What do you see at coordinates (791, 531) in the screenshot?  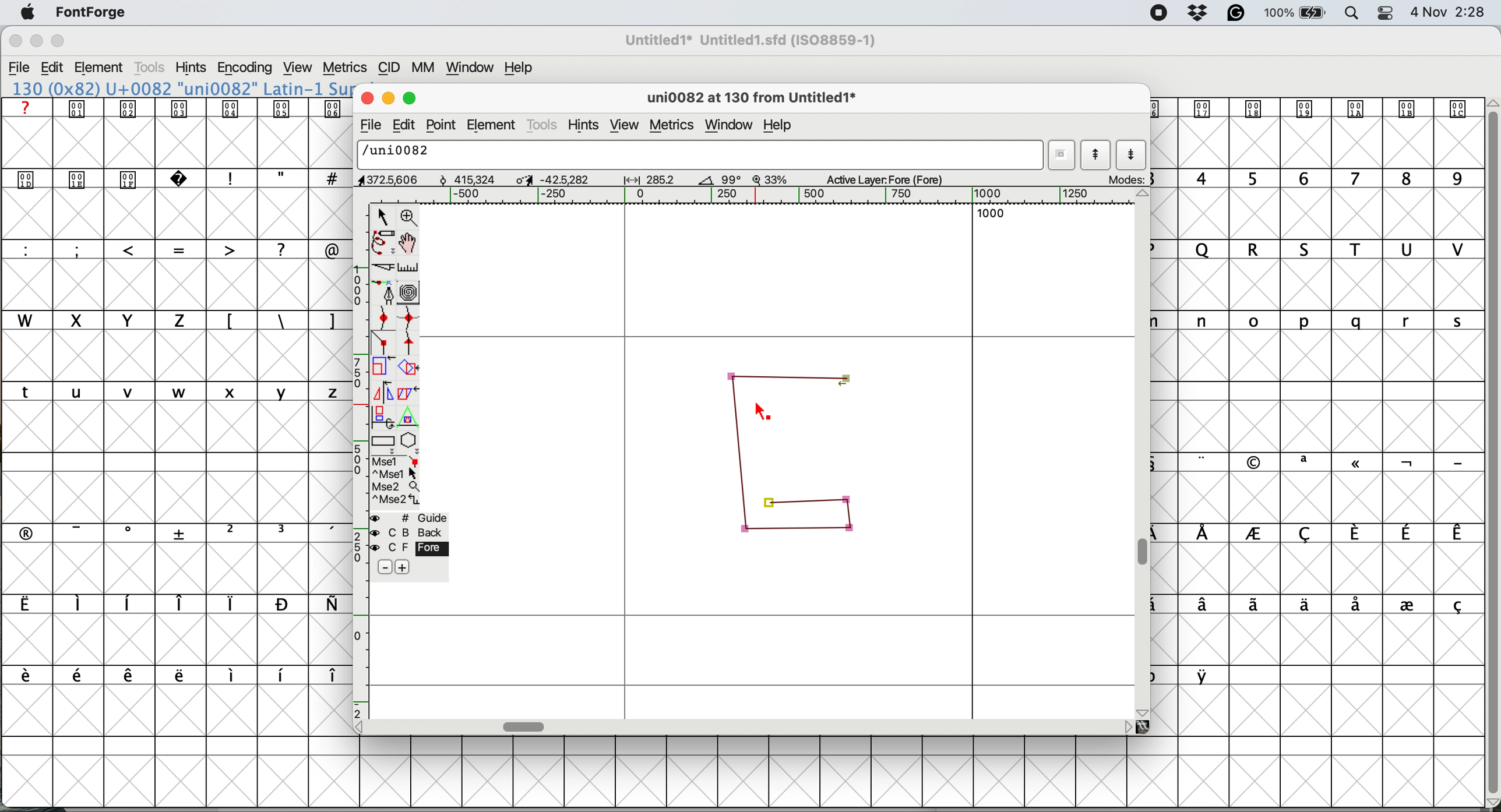 I see `corner points connected` at bounding box center [791, 531].